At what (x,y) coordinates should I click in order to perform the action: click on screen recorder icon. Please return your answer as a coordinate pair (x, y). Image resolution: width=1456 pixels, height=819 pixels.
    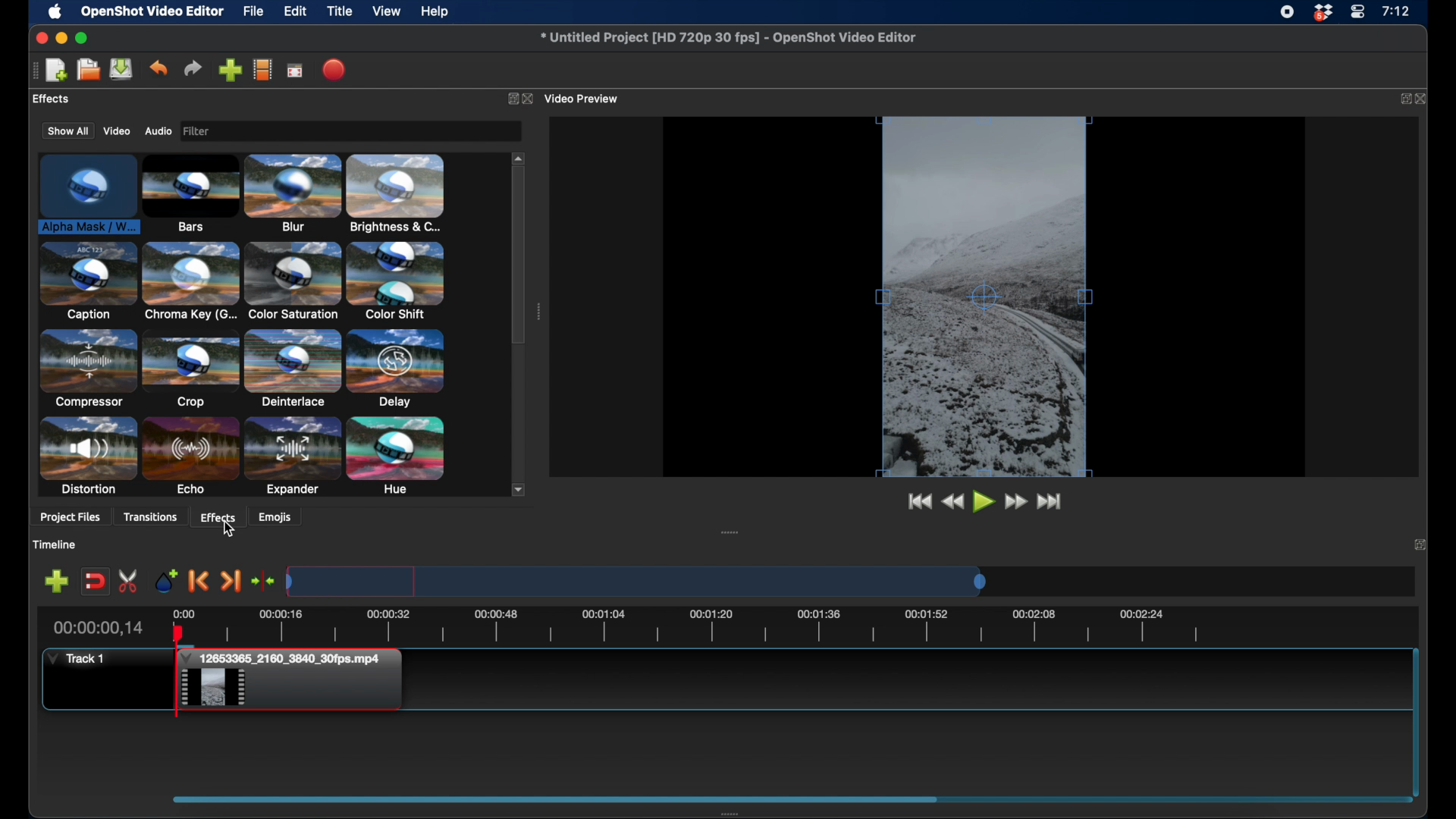
    Looking at the image, I should click on (1287, 12).